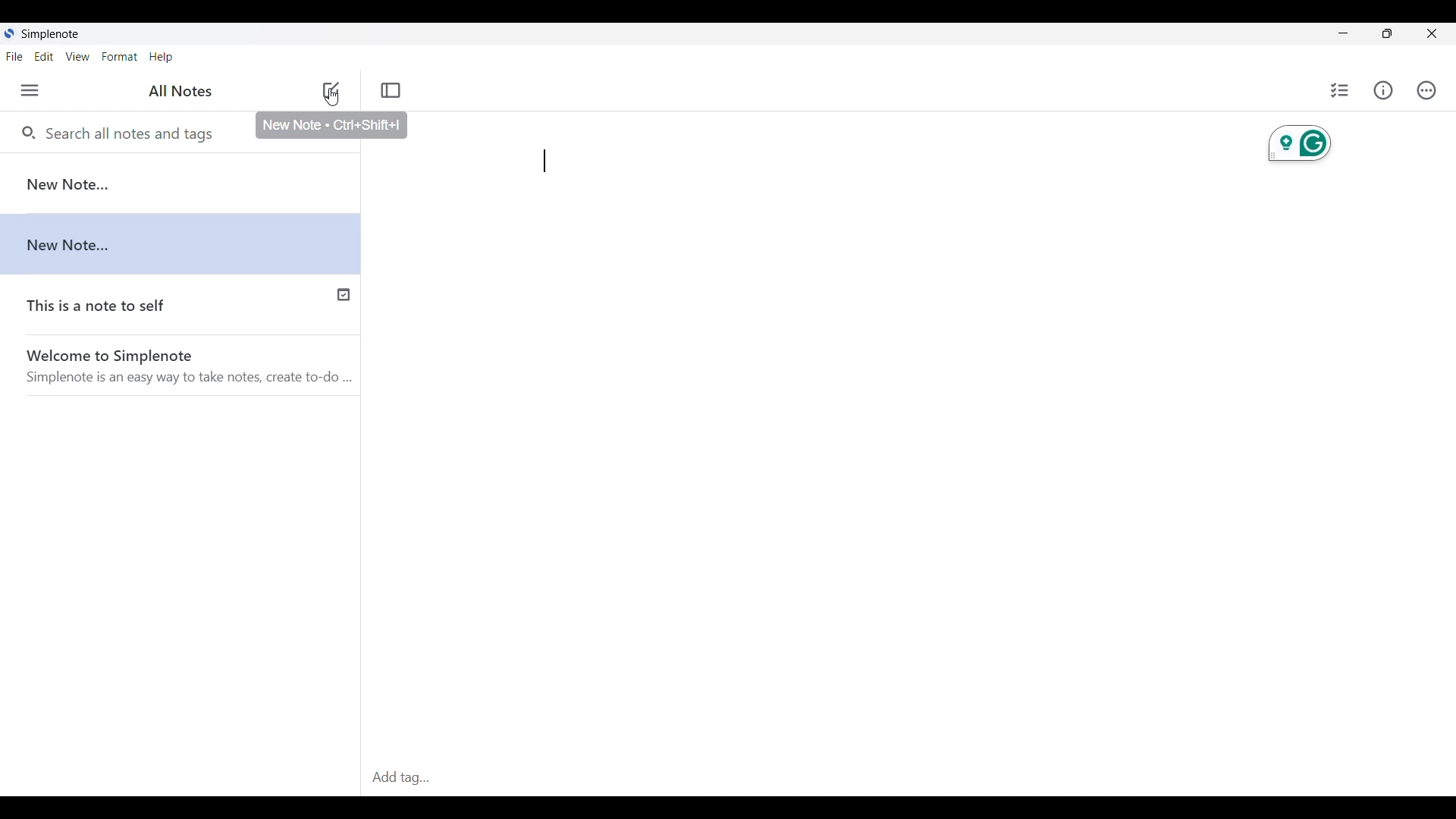  Describe the element at coordinates (549, 161) in the screenshot. I see `Text curosor` at that location.